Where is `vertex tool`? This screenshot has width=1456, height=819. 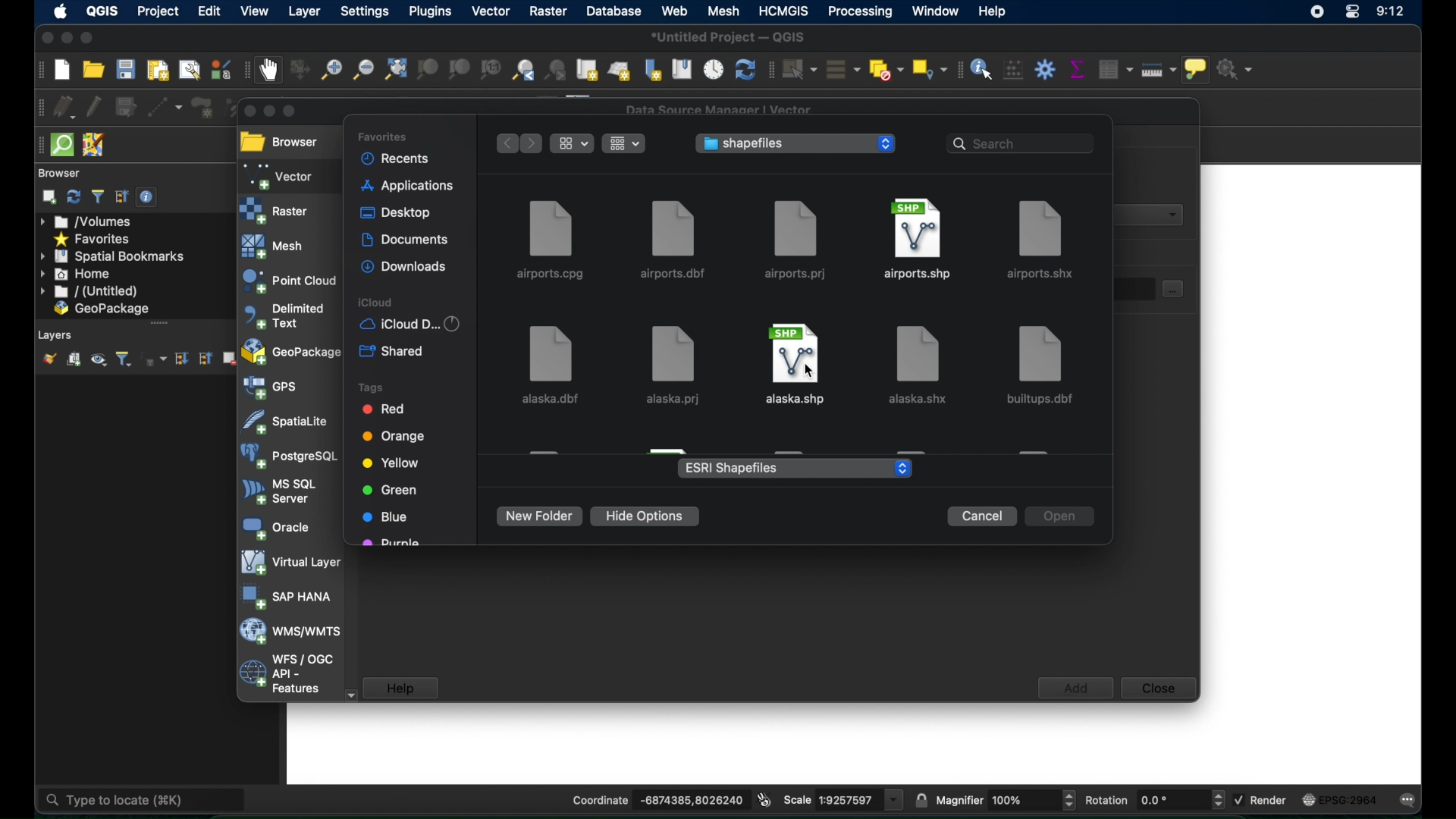 vertex tool is located at coordinates (239, 108).